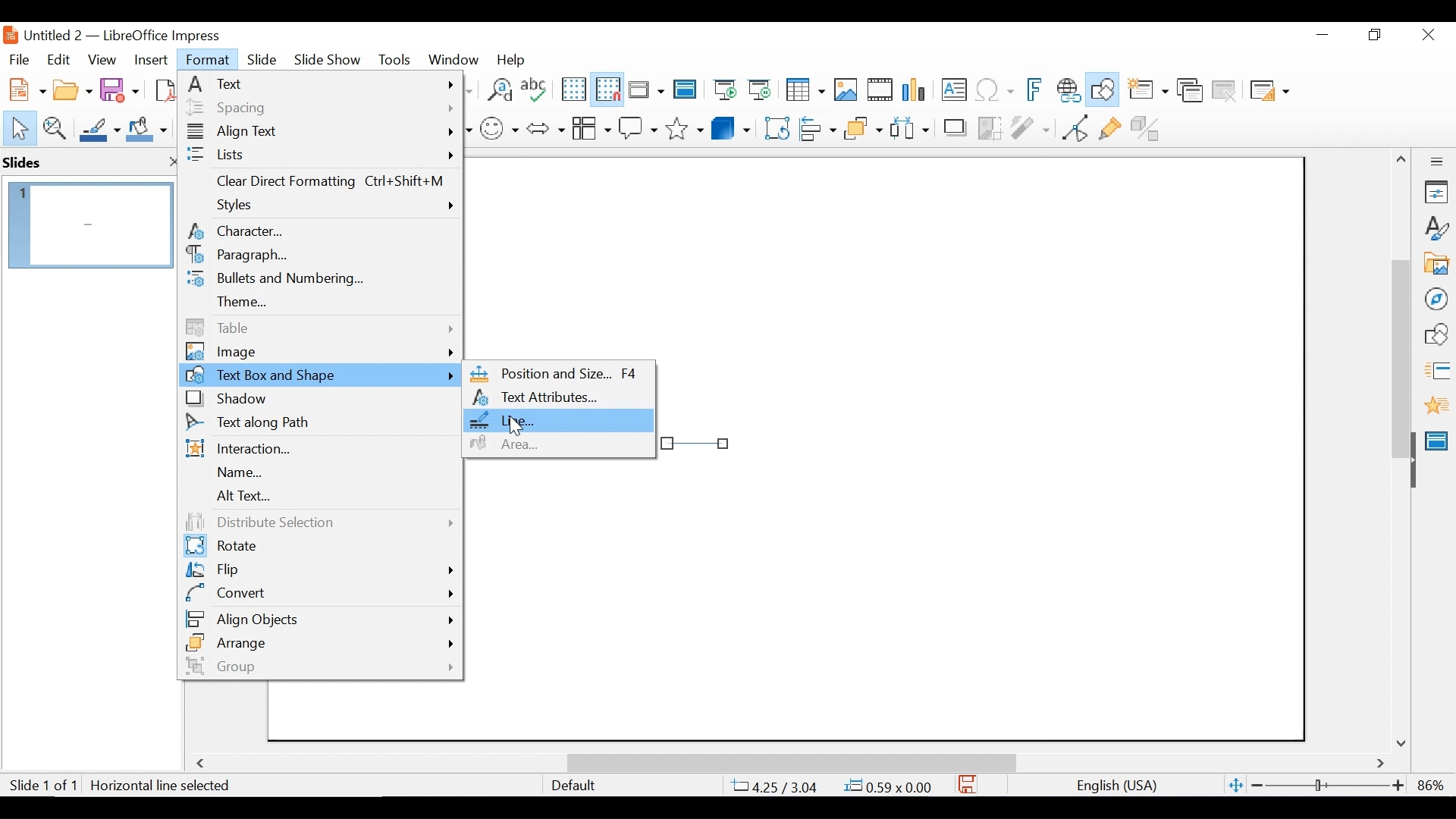 The width and height of the screenshot is (1456, 819). I want to click on Align Objects, so click(319, 617).